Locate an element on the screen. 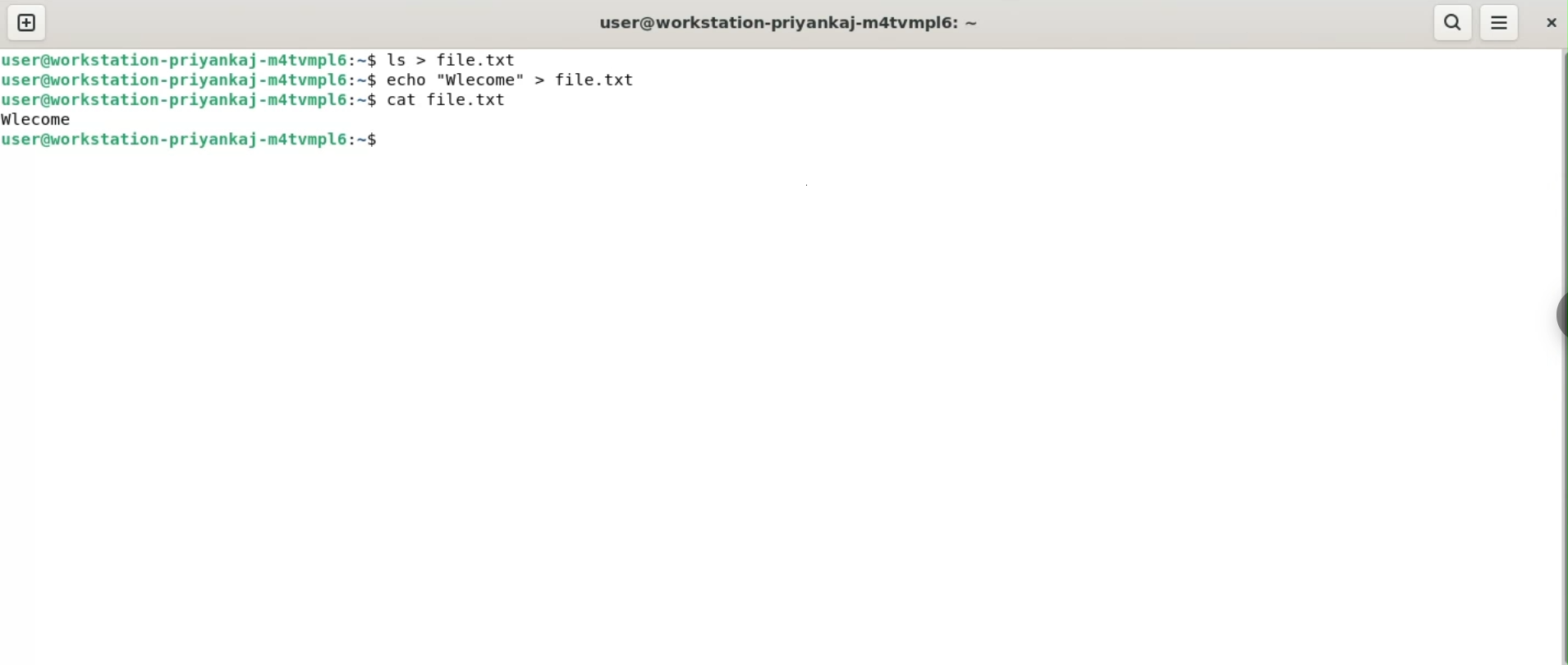 Image resolution: width=1568 pixels, height=665 pixels. close is located at coordinates (1551, 21).